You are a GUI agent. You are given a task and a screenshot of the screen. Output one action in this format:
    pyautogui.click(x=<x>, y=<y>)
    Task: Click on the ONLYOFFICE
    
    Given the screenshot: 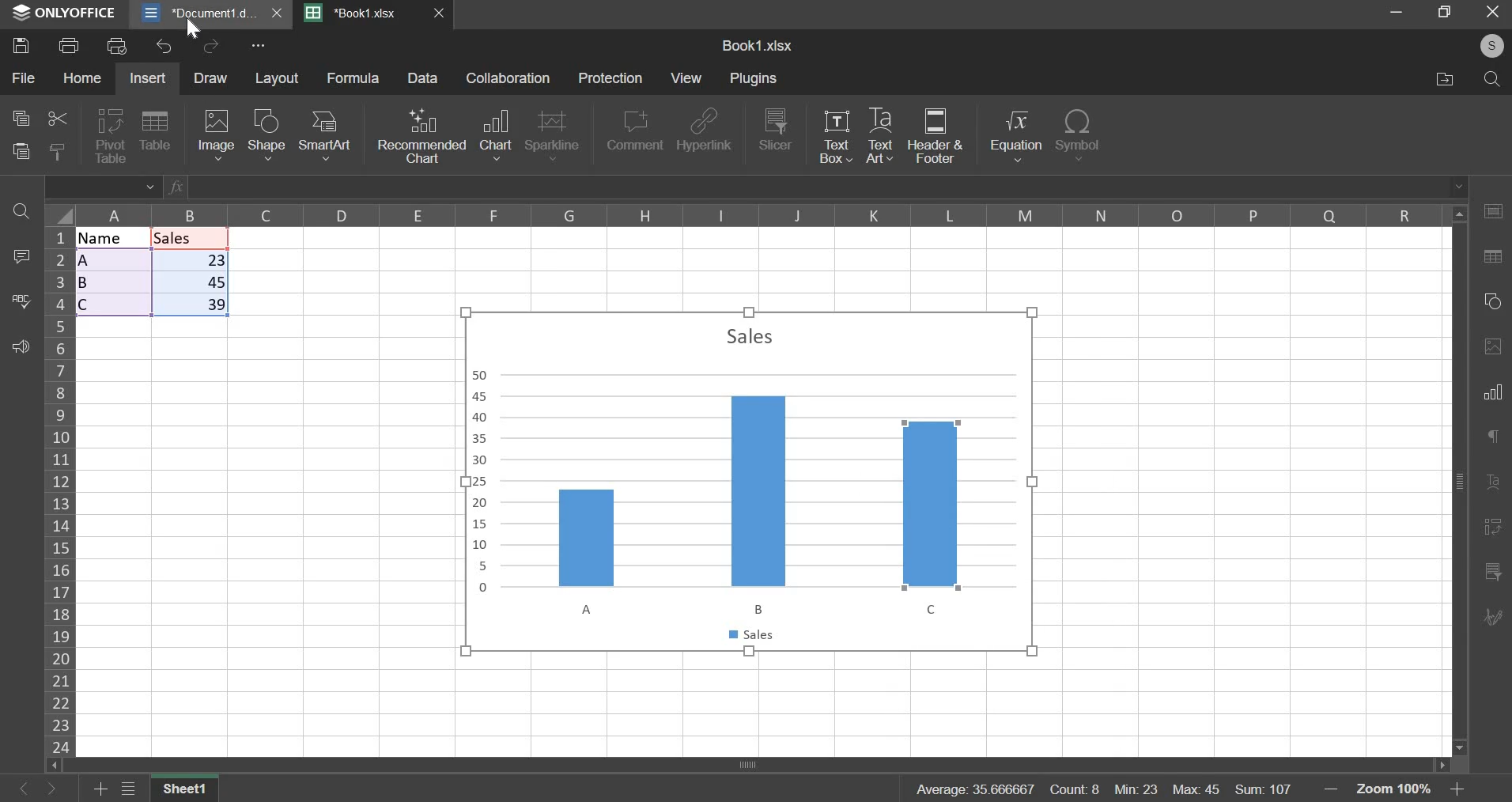 What is the action you would take?
    pyautogui.click(x=60, y=16)
    